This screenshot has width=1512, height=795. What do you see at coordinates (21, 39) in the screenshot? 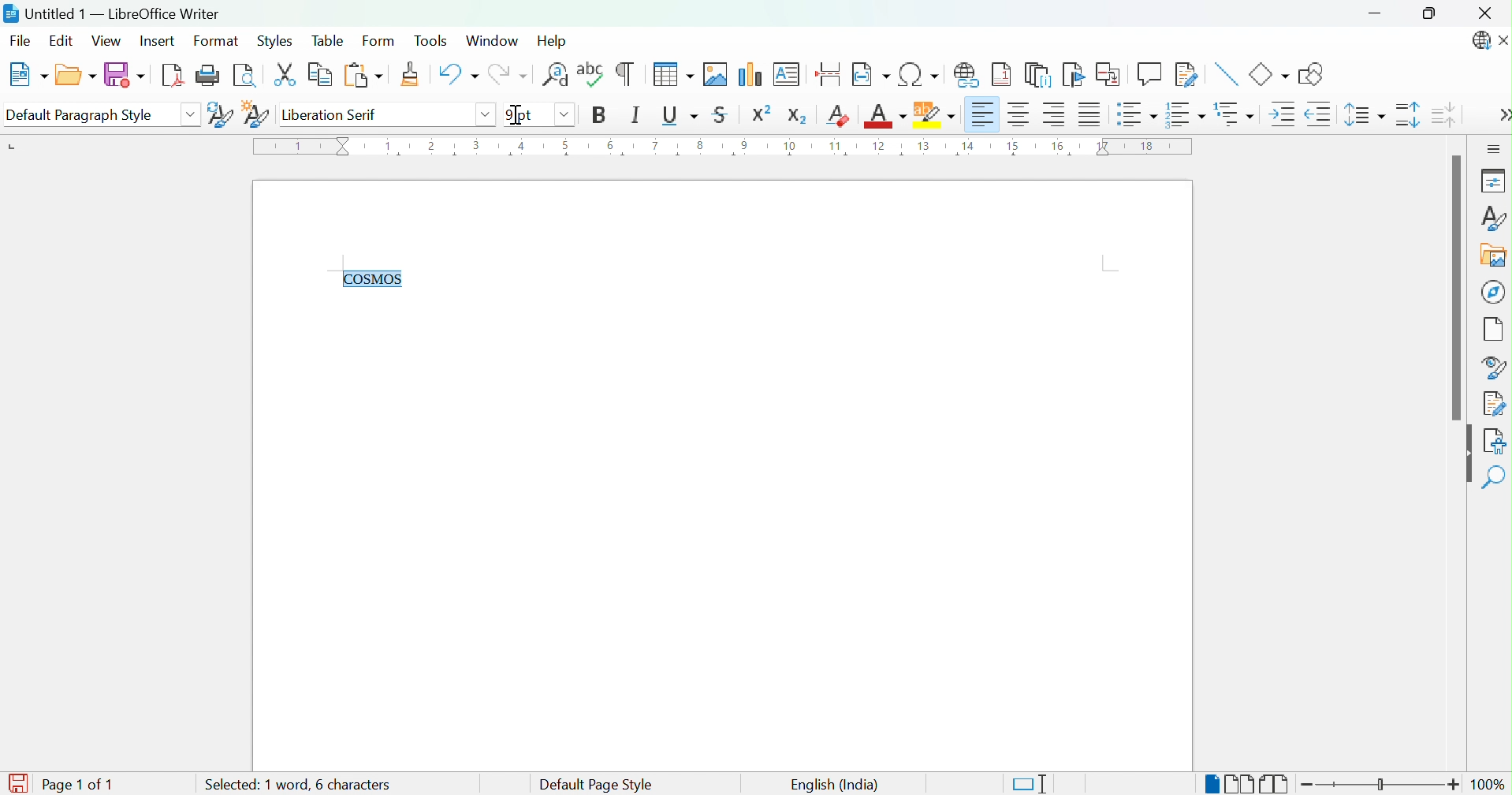
I see `File` at bounding box center [21, 39].